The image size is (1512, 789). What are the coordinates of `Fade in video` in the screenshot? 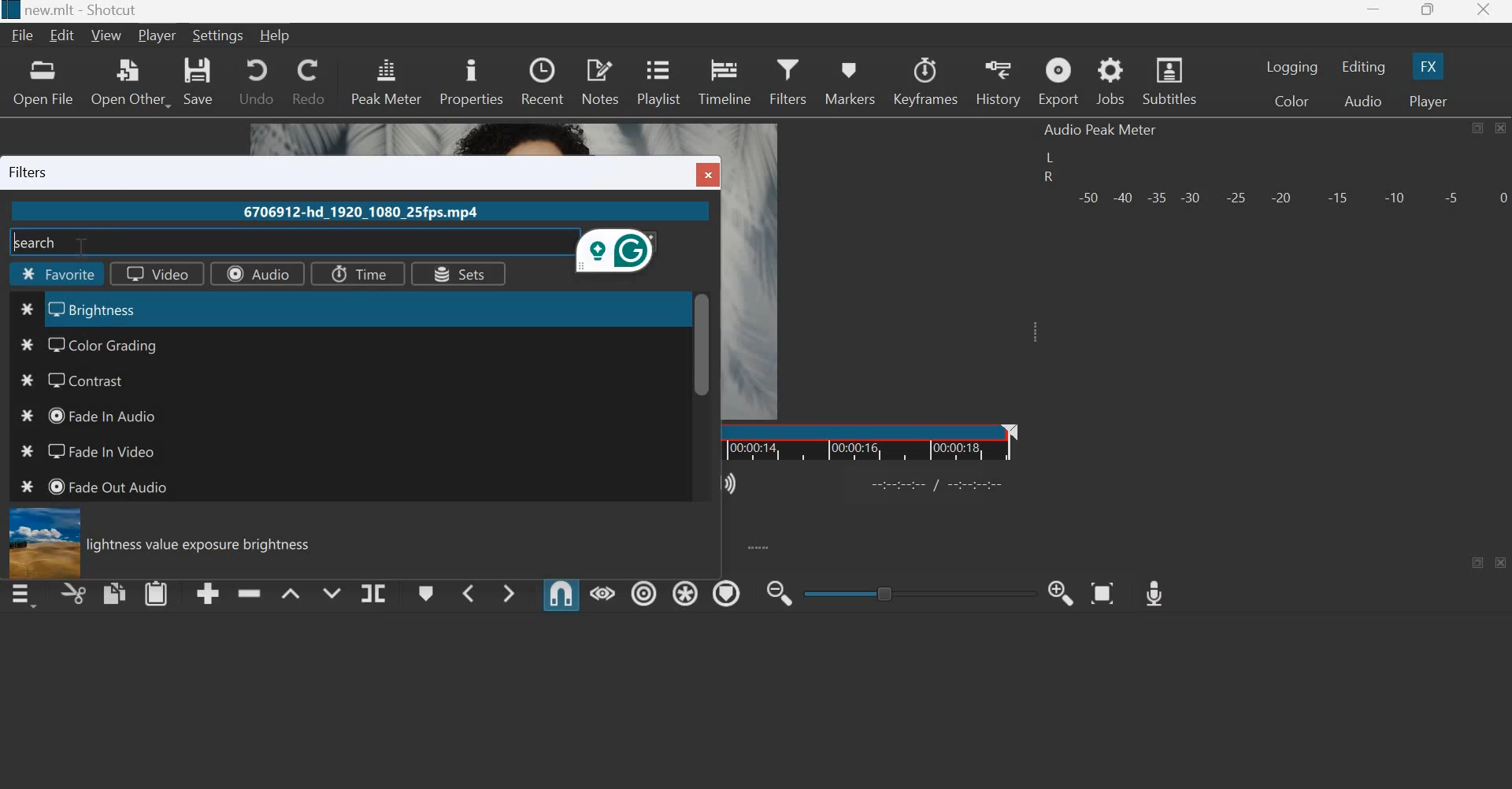 It's located at (98, 450).